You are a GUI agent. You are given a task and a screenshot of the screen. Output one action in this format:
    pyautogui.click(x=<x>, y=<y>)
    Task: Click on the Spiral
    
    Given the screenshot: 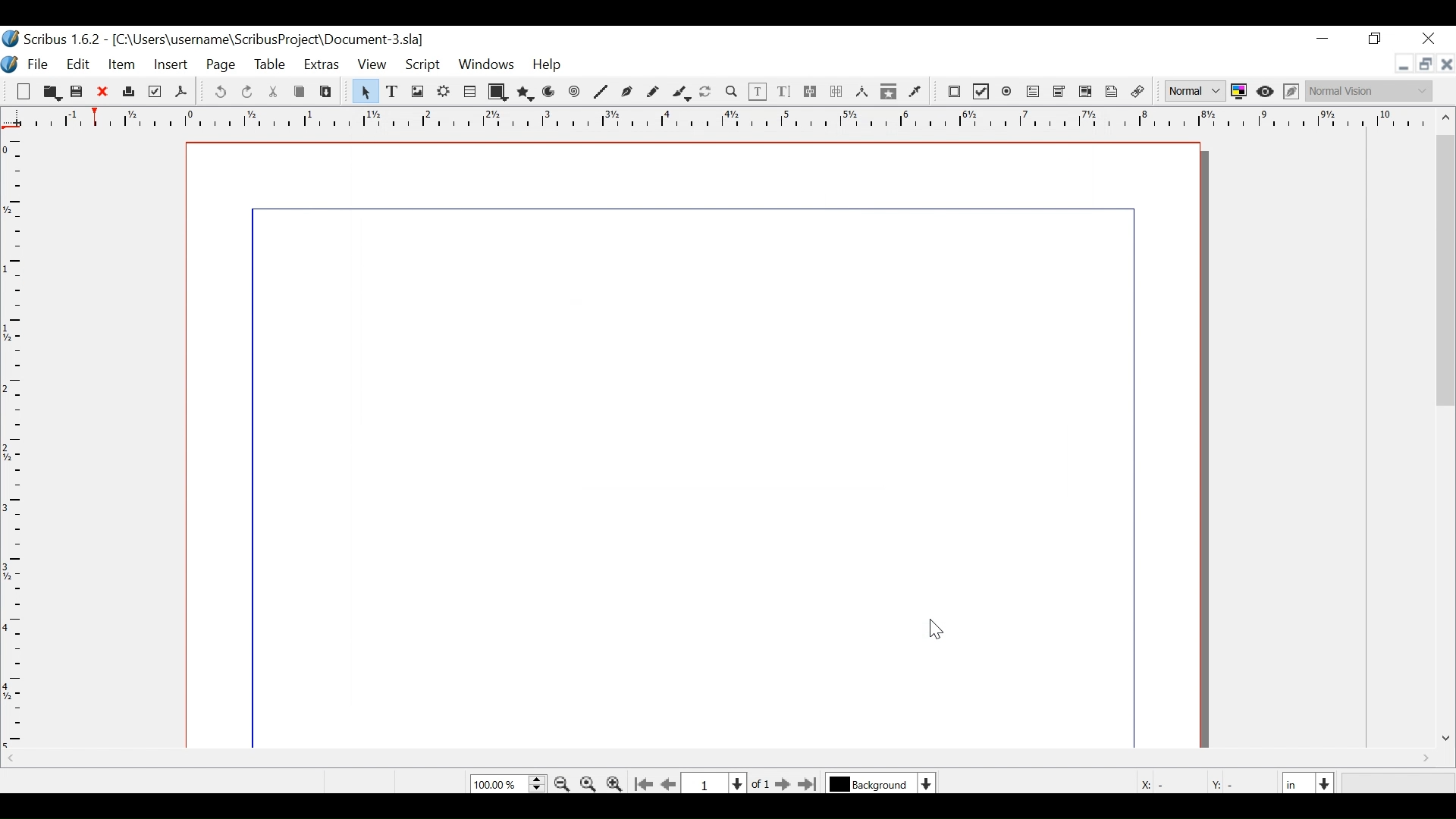 What is the action you would take?
    pyautogui.click(x=575, y=93)
    